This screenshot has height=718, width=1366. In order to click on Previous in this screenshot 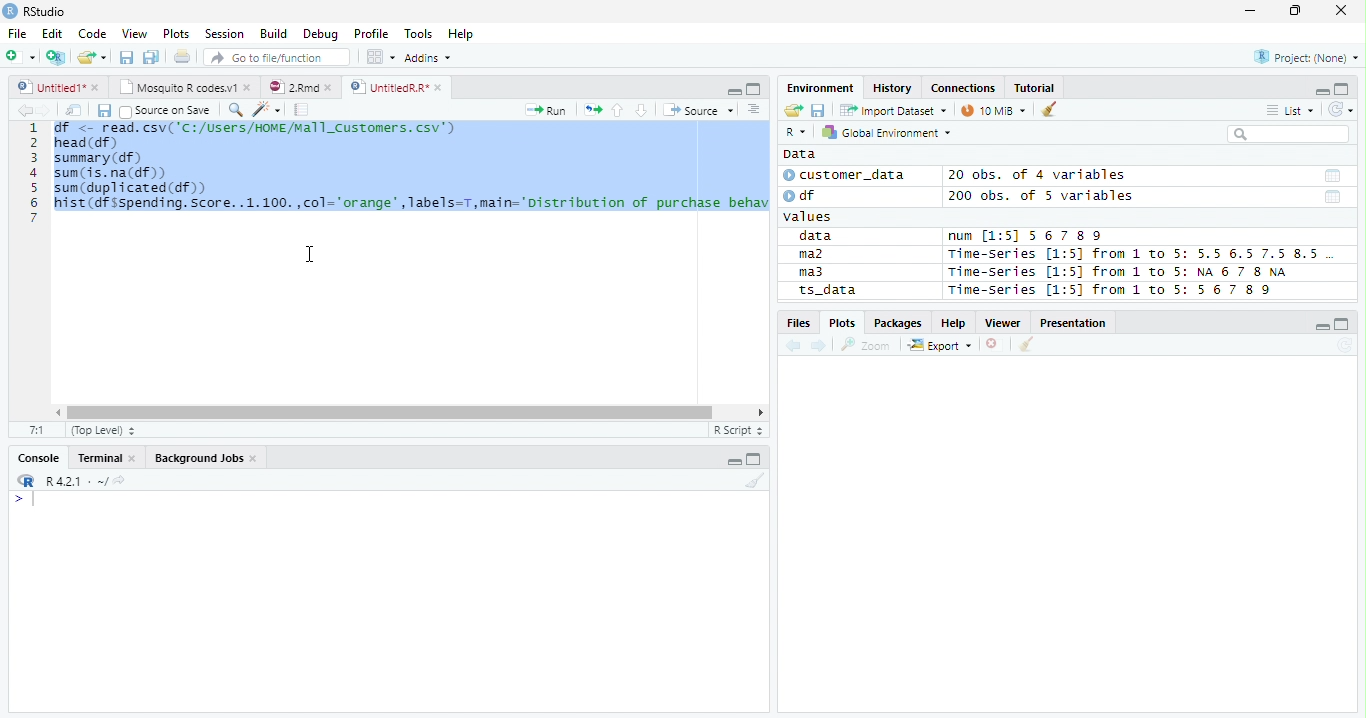, I will do `click(22, 110)`.